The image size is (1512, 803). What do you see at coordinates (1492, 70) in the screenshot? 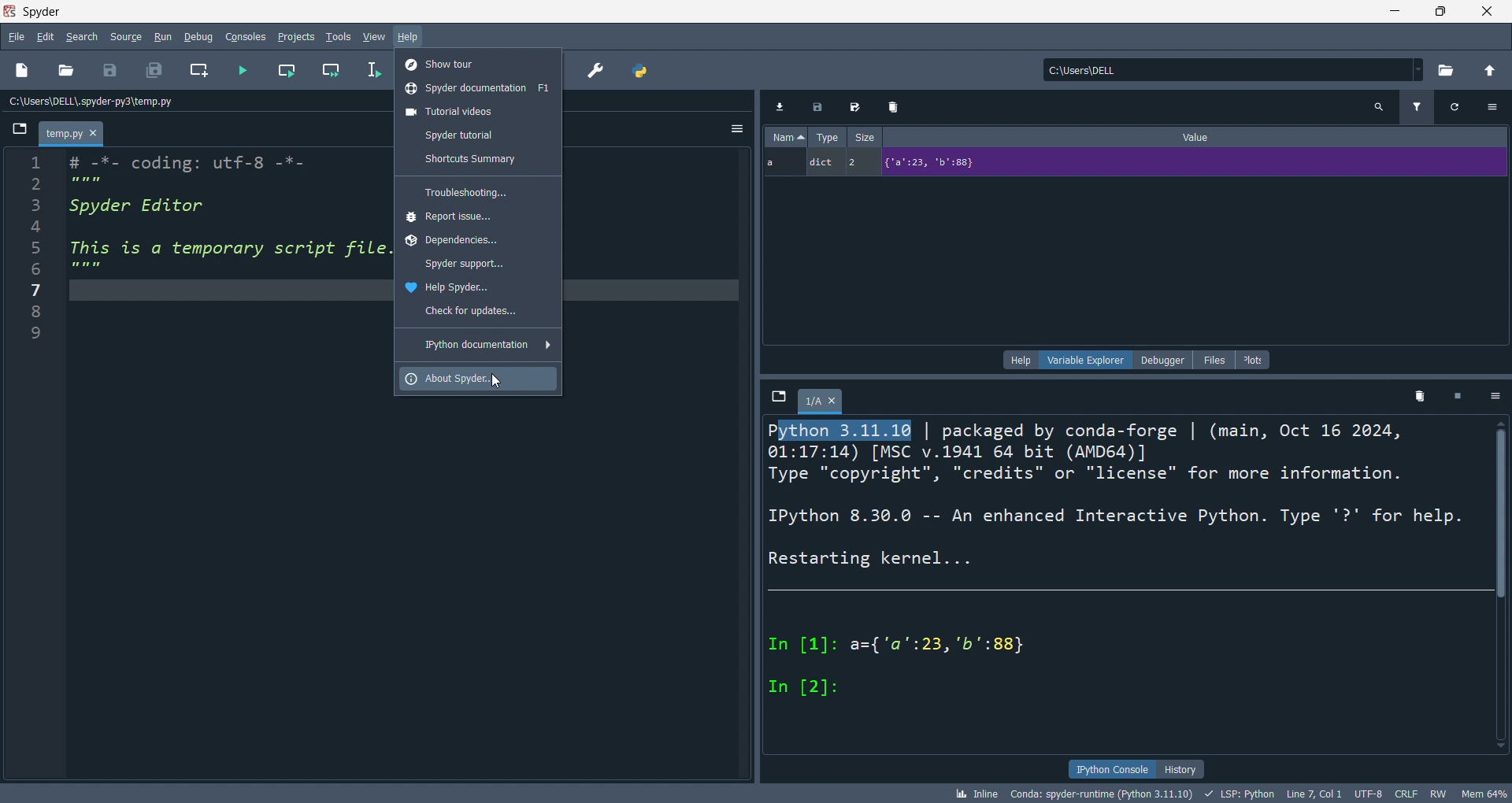
I see `open parent directory` at bounding box center [1492, 70].